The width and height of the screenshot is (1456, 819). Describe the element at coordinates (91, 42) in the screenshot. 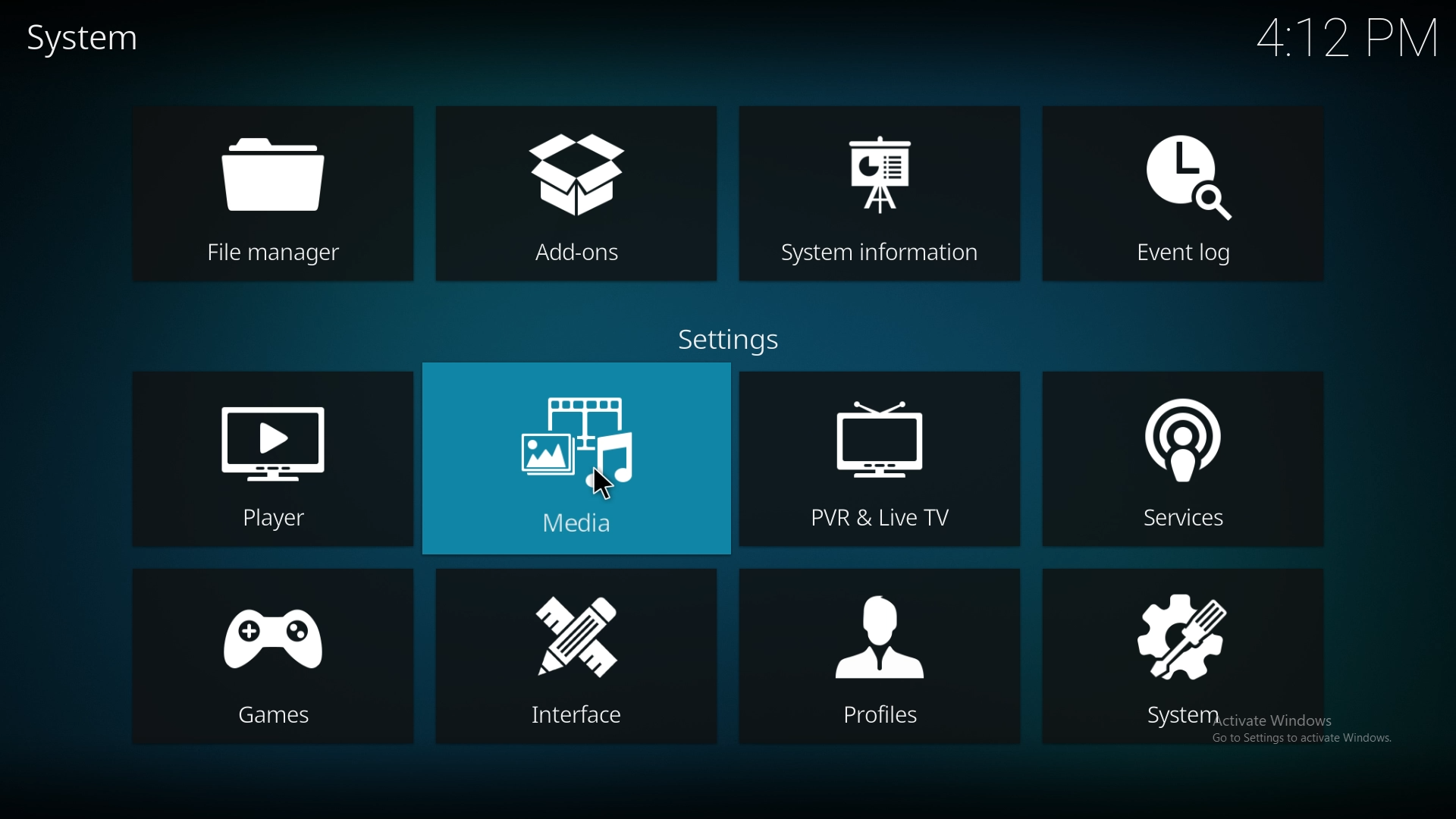

I see `system` at that location.